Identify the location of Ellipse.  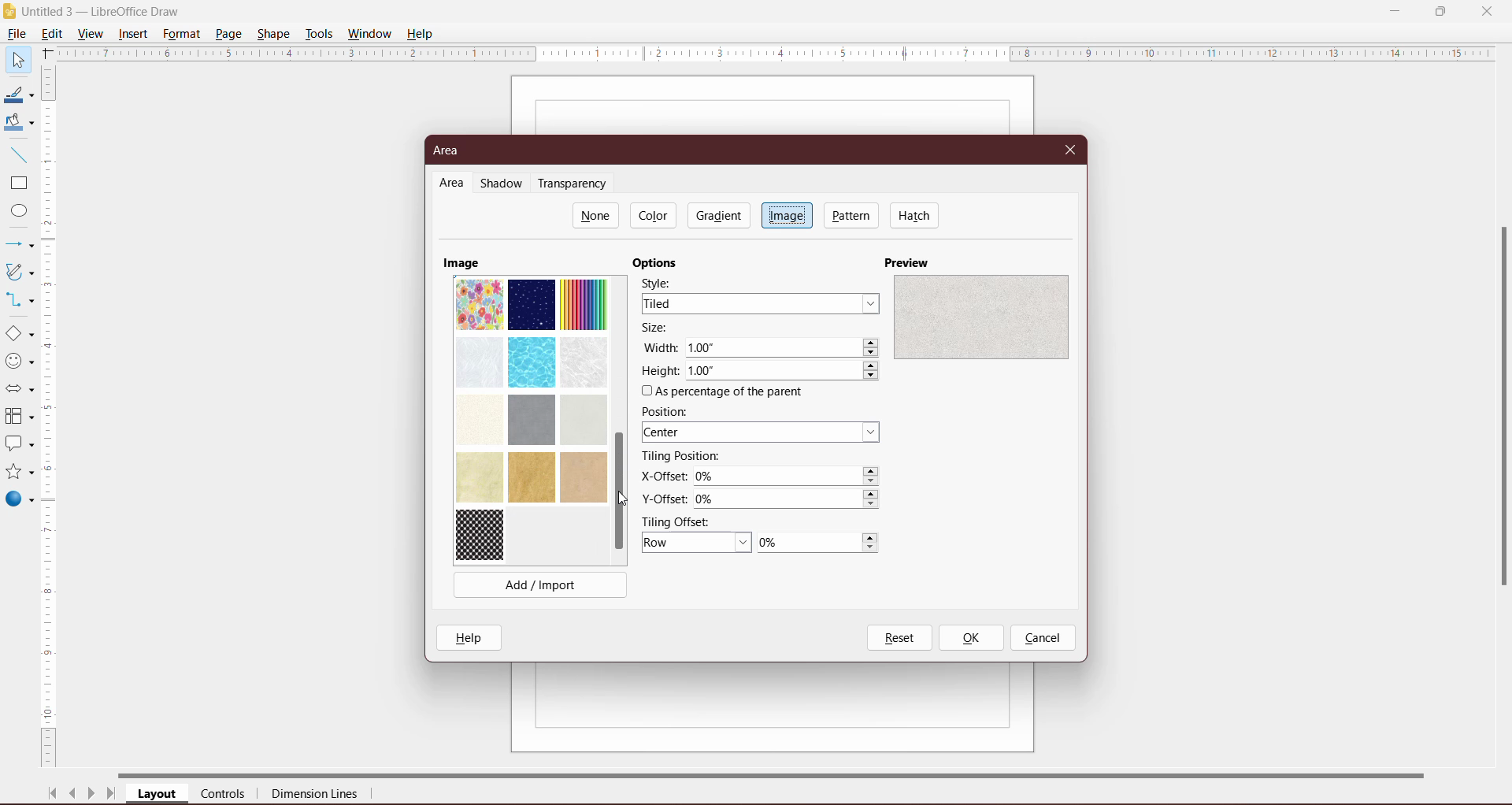
(15, 213).